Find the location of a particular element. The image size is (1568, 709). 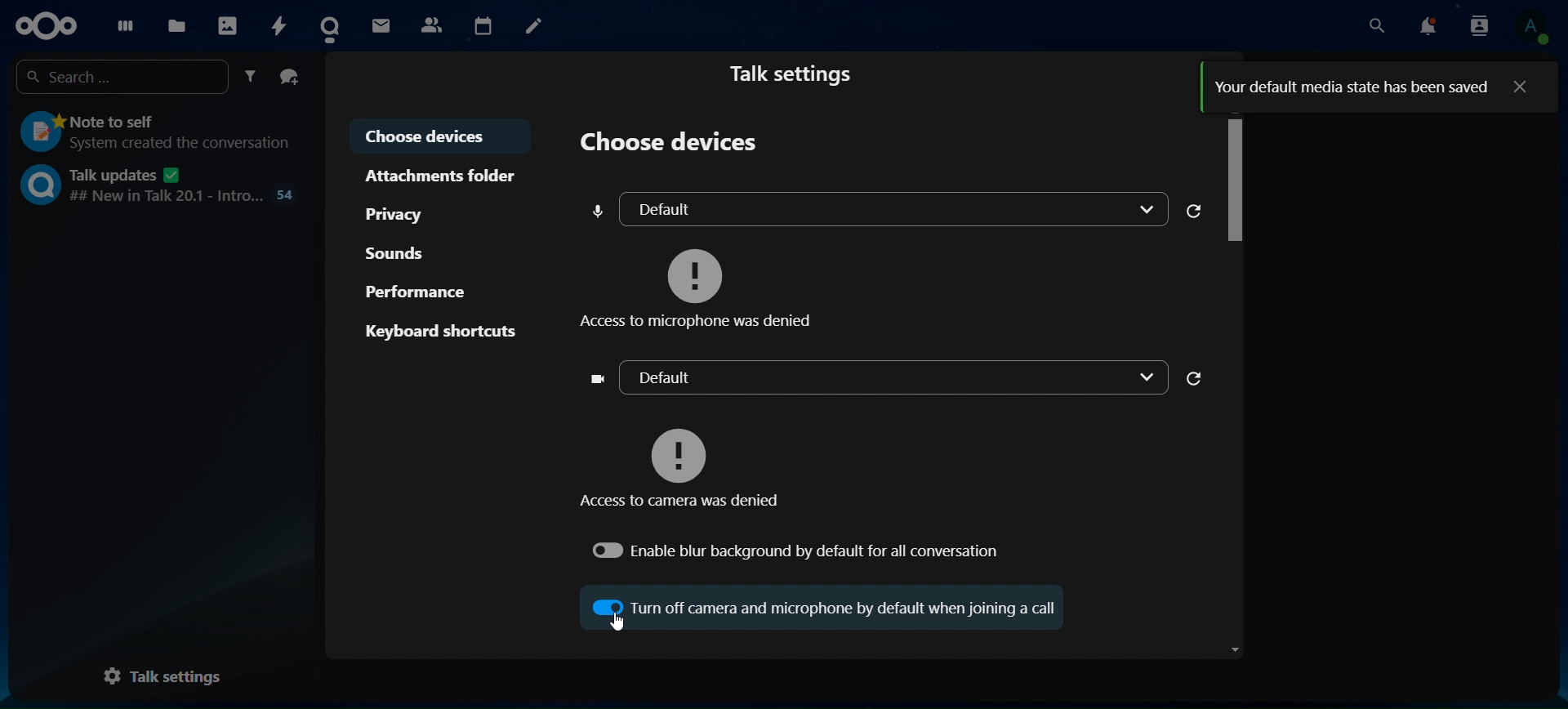

create  a group is located at coordinates (289, 75).